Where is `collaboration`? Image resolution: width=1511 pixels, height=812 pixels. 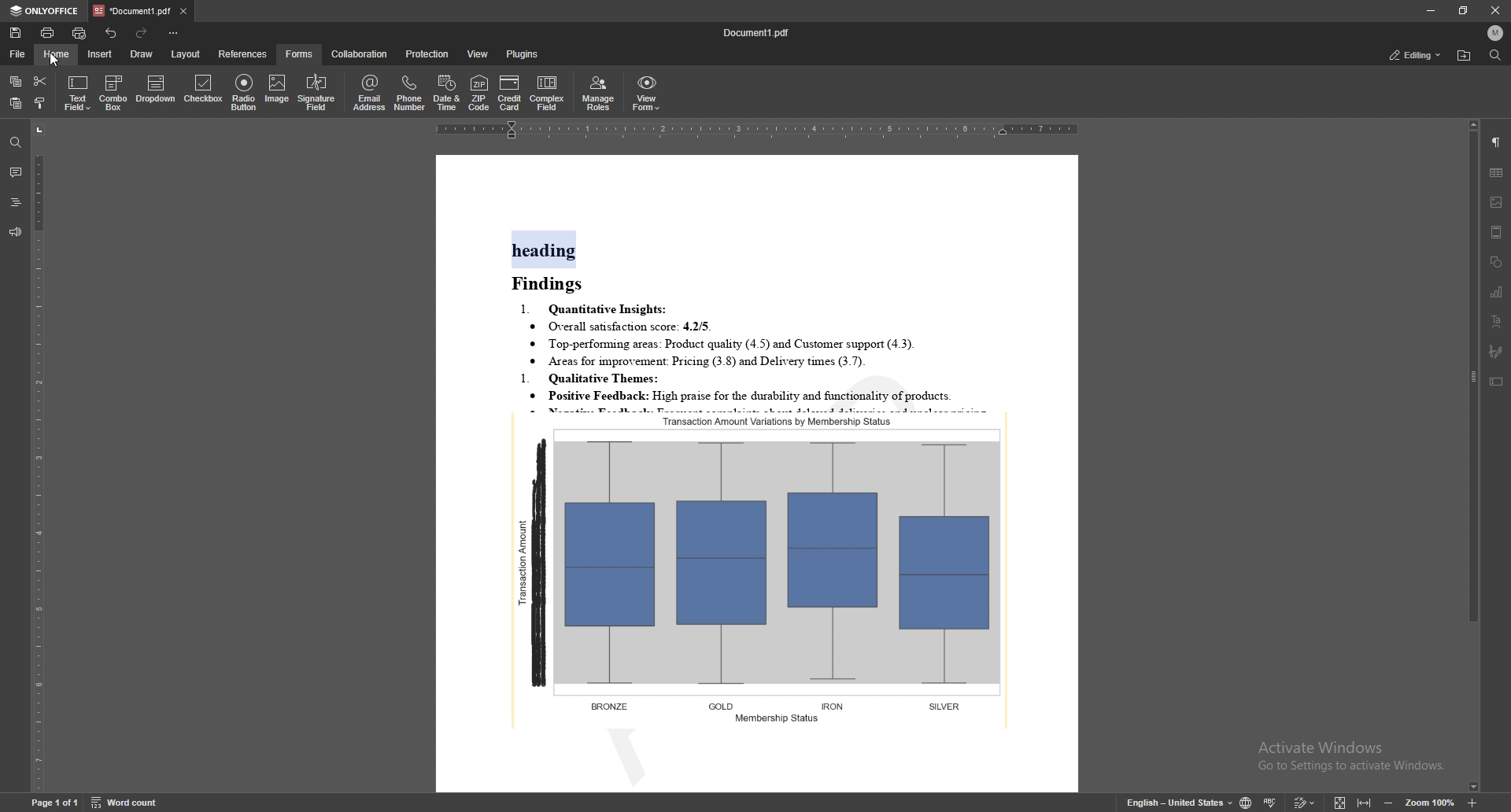
collaboration is located at coordinates (361, 53).